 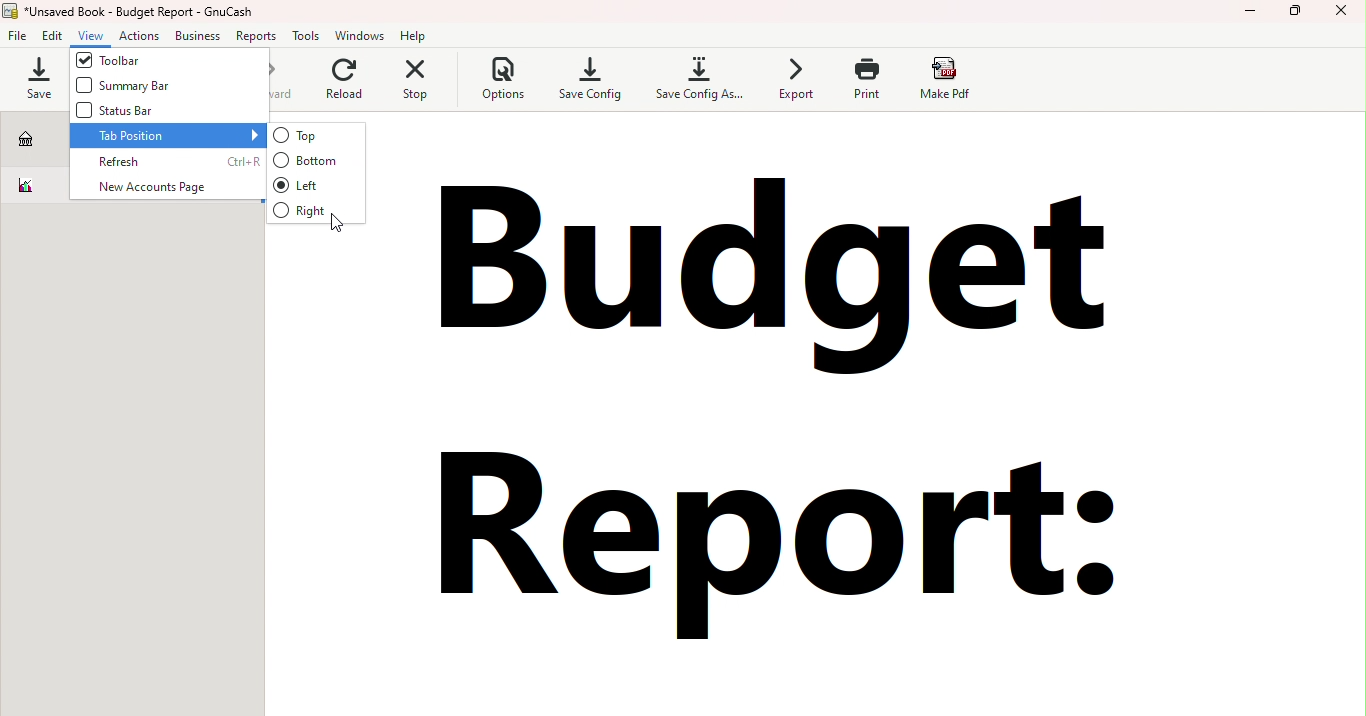 What do you see at coordinates (1293, 12) in the screenshot?
I see `Maximize` at bounding box center [1293, 12].